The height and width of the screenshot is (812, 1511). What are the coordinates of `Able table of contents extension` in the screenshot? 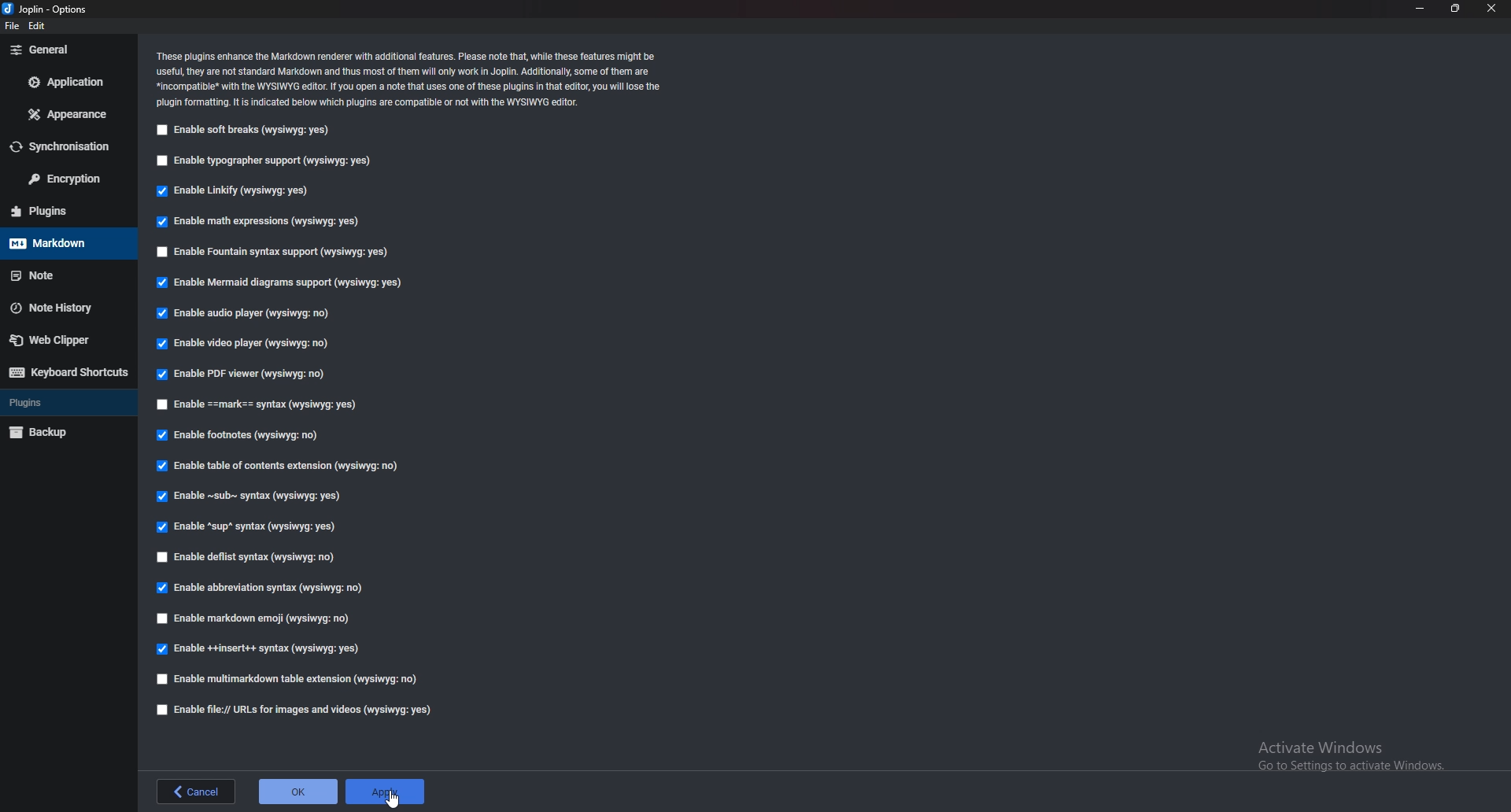 It's located at (279, 466).